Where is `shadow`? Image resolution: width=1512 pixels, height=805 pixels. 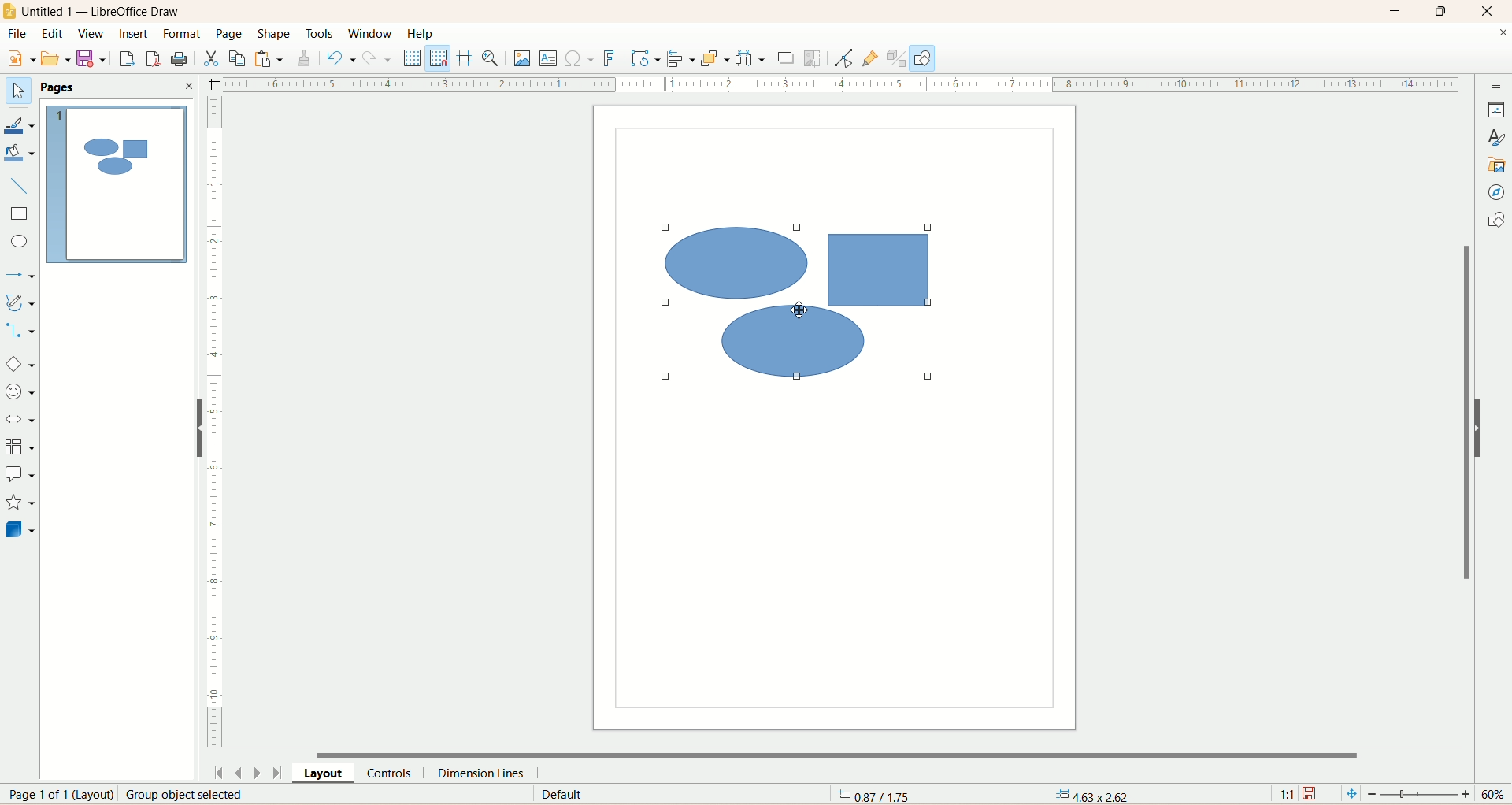
shadow is located at coordinates (787, 61).